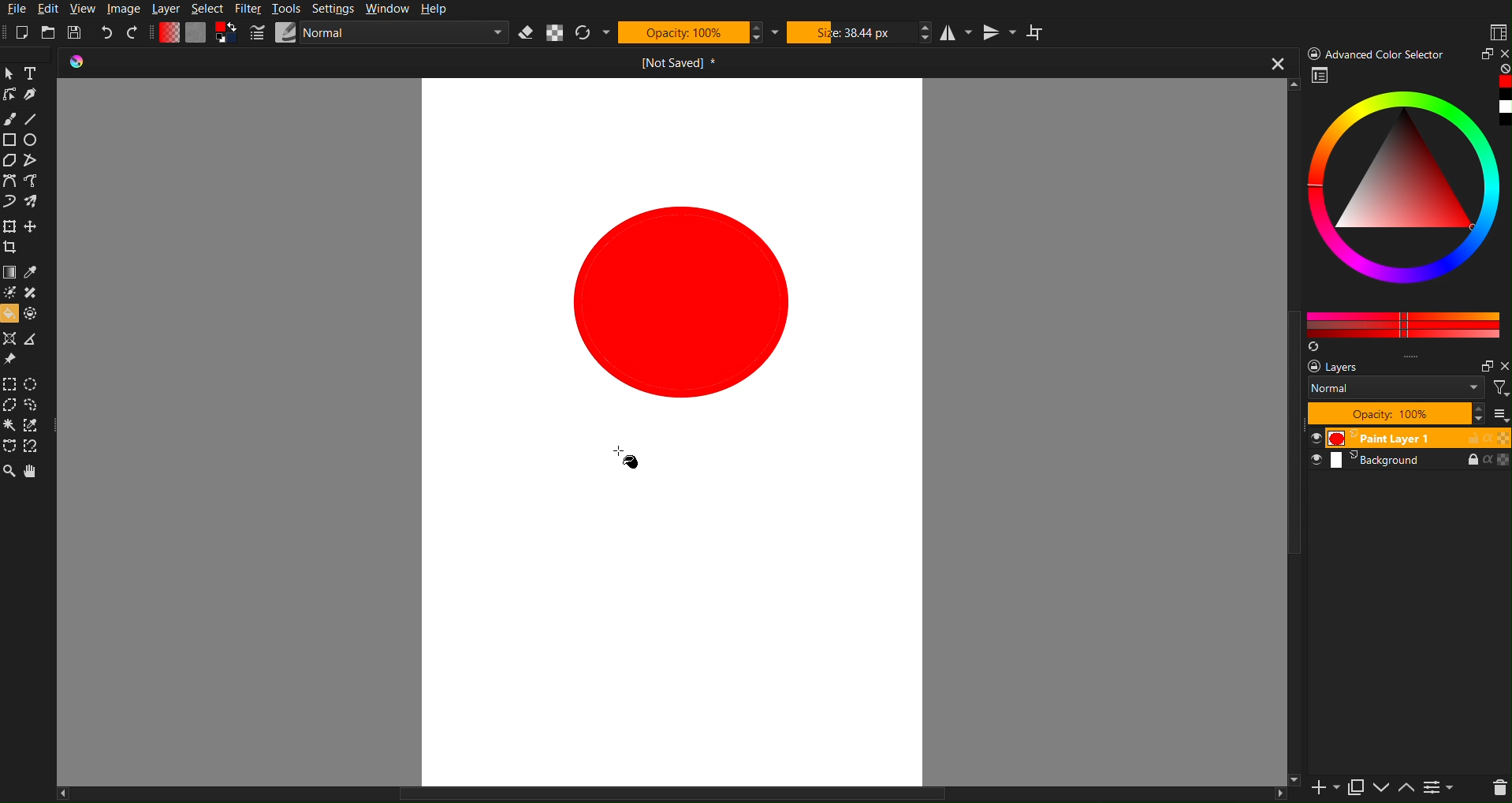 This screenshot has height=803, width=1512. I want to click on Alpha , so click(557, 34).